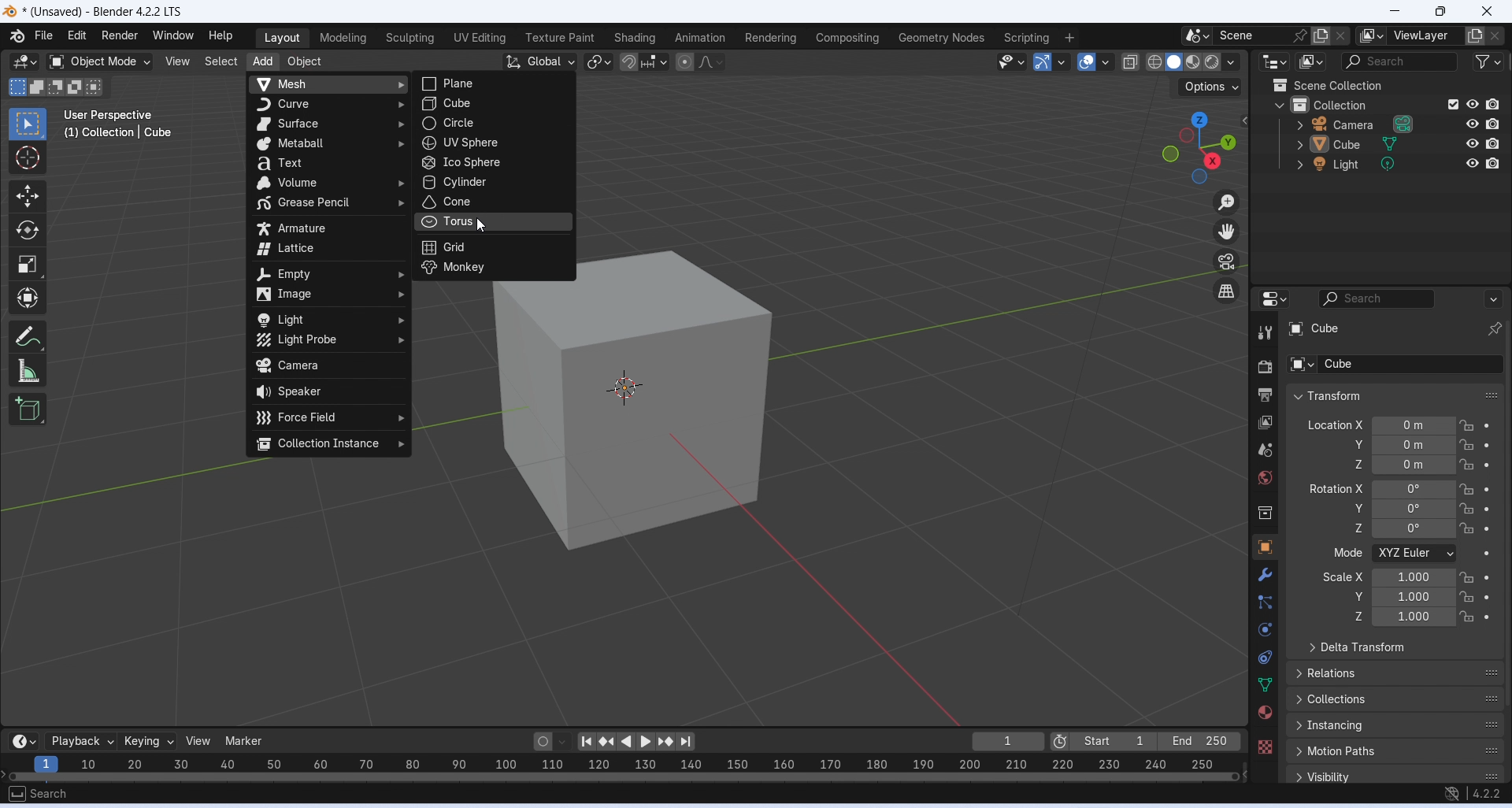  Describe the element at coordinates (478, 38) in the screenshot. I see `UV Editing` at that location.